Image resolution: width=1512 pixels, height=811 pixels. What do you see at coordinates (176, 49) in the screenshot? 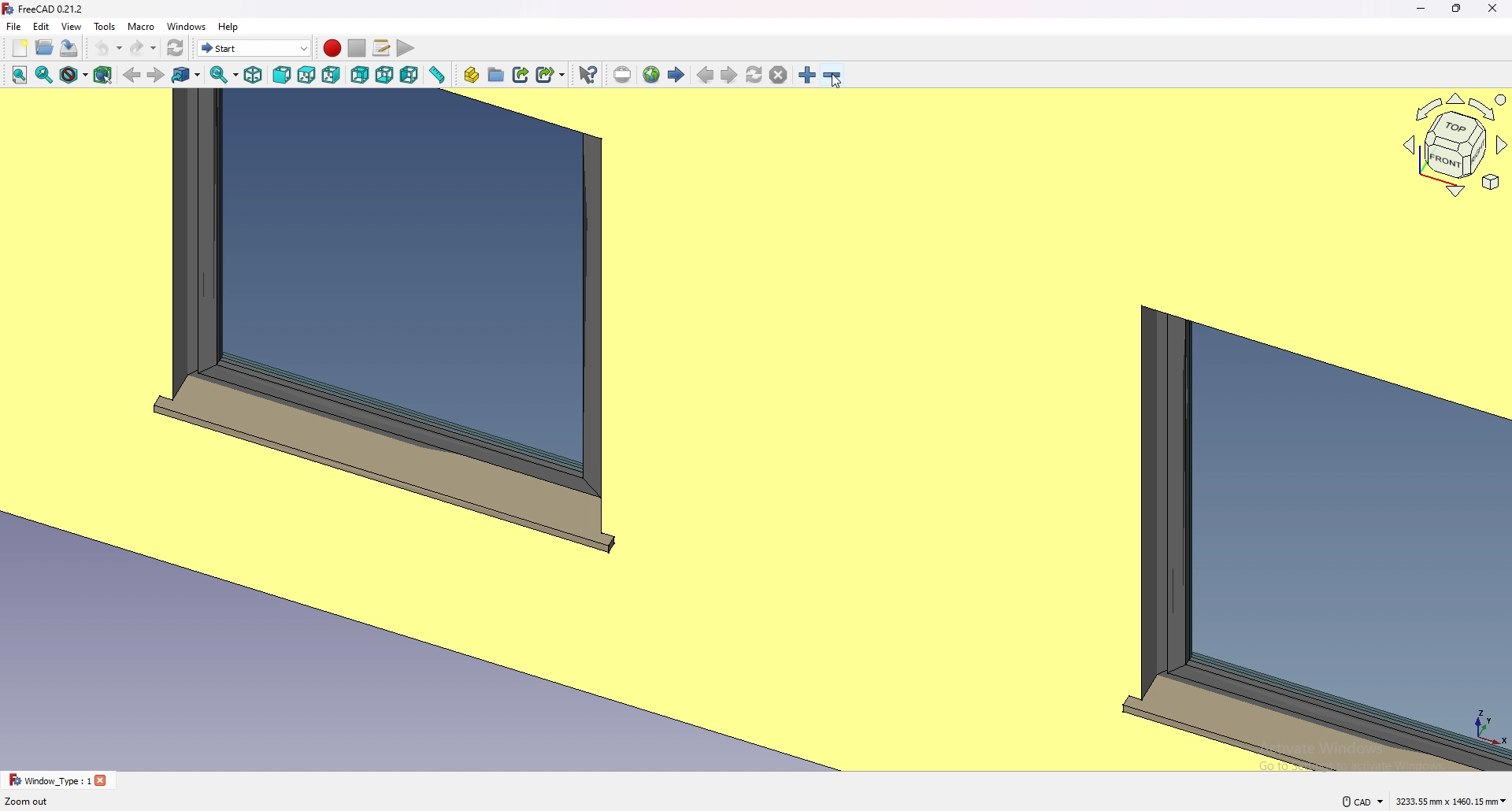
I see `refresh` at bounding box center [176, 49].